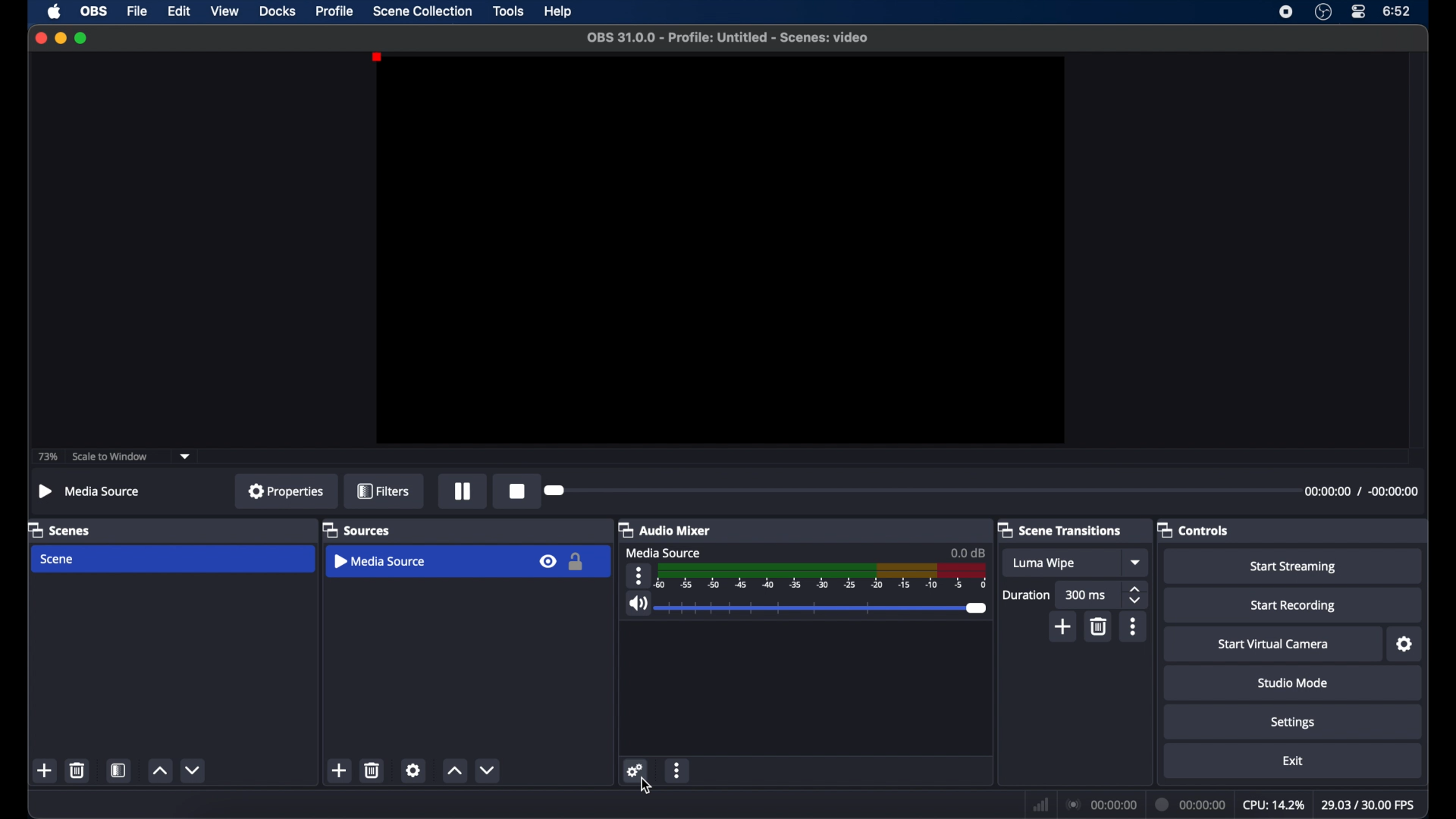  Describe the element at coordinates (1398, 12) in the screenshot. I see `time` at that location.